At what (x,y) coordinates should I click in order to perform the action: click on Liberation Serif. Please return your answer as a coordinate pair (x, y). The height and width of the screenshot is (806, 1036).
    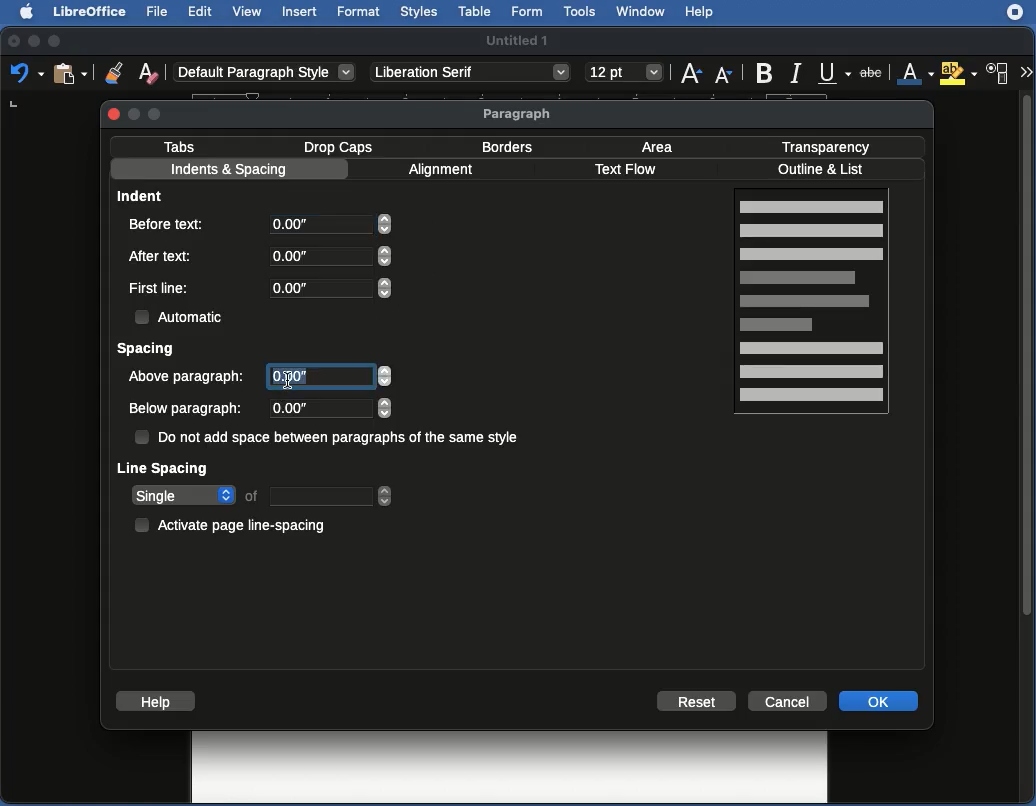
    Looking at the image, I should click on (470, 73).